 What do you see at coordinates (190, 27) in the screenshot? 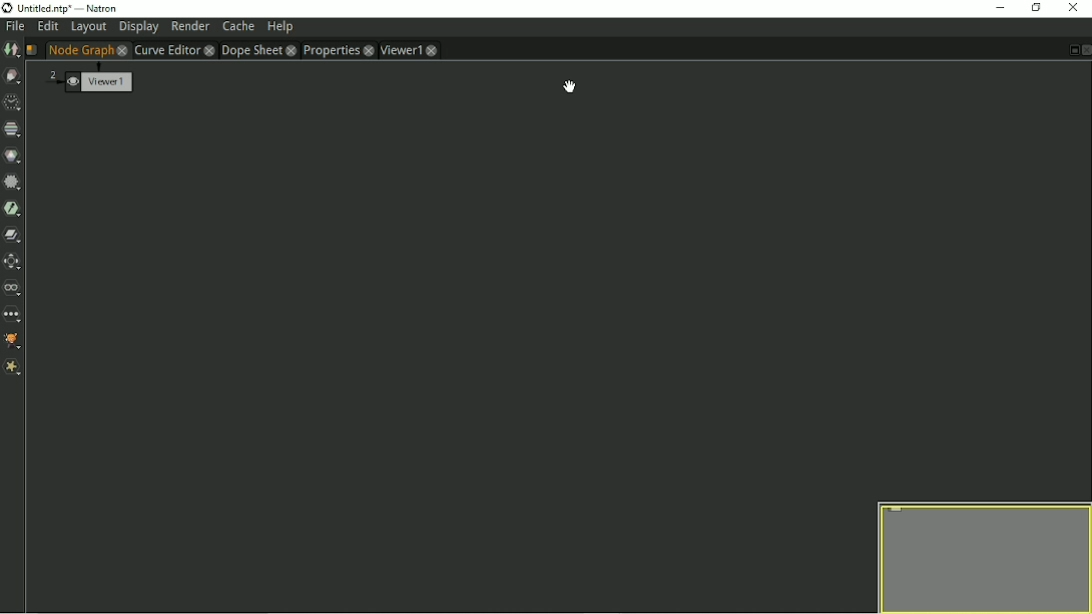
I see `Render` at bounding box center [190, 27].